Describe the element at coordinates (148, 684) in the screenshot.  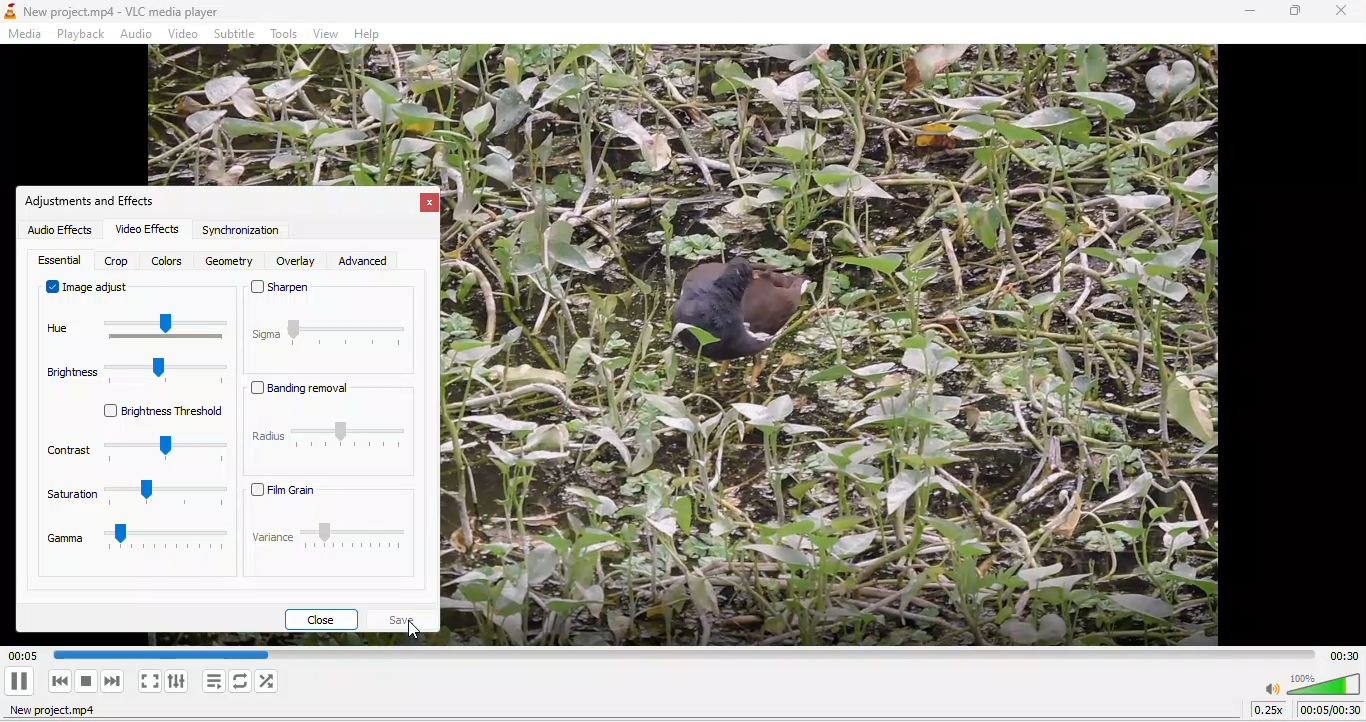
I see `toggle the video in fullscreen` at that location.